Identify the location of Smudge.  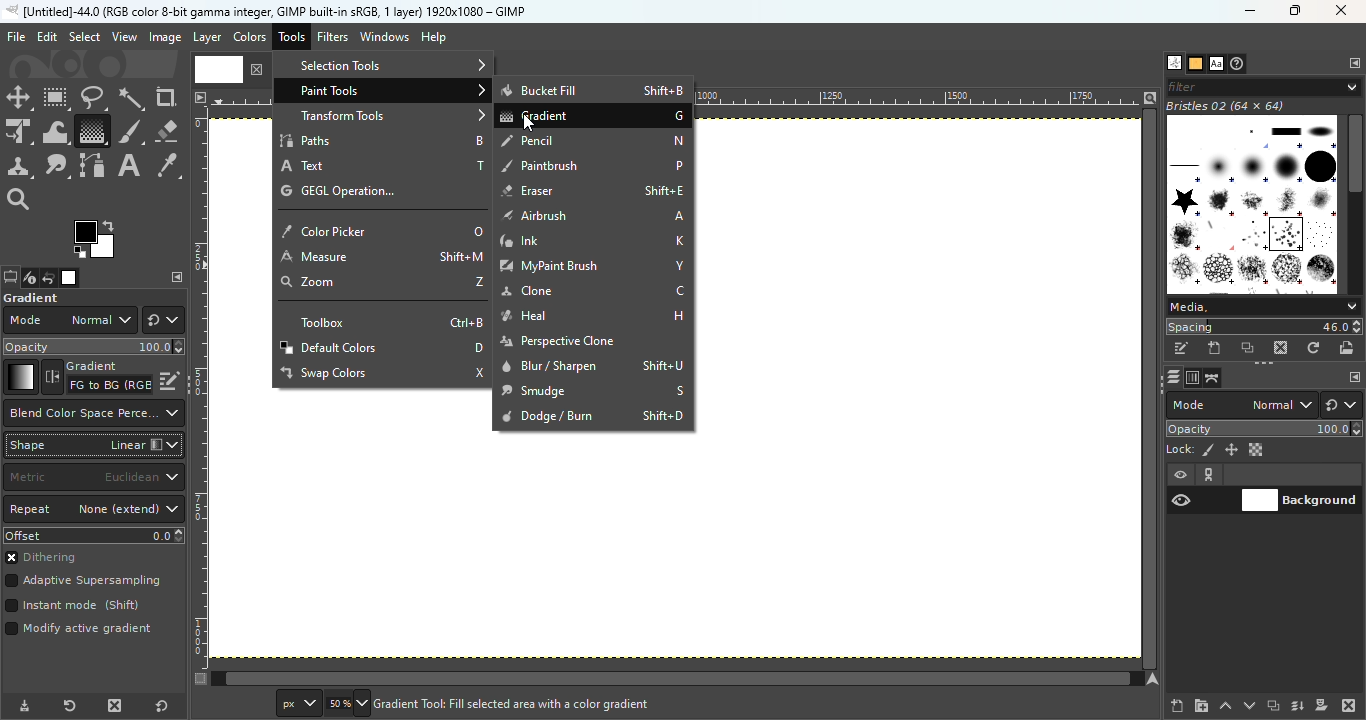
(590, 391).